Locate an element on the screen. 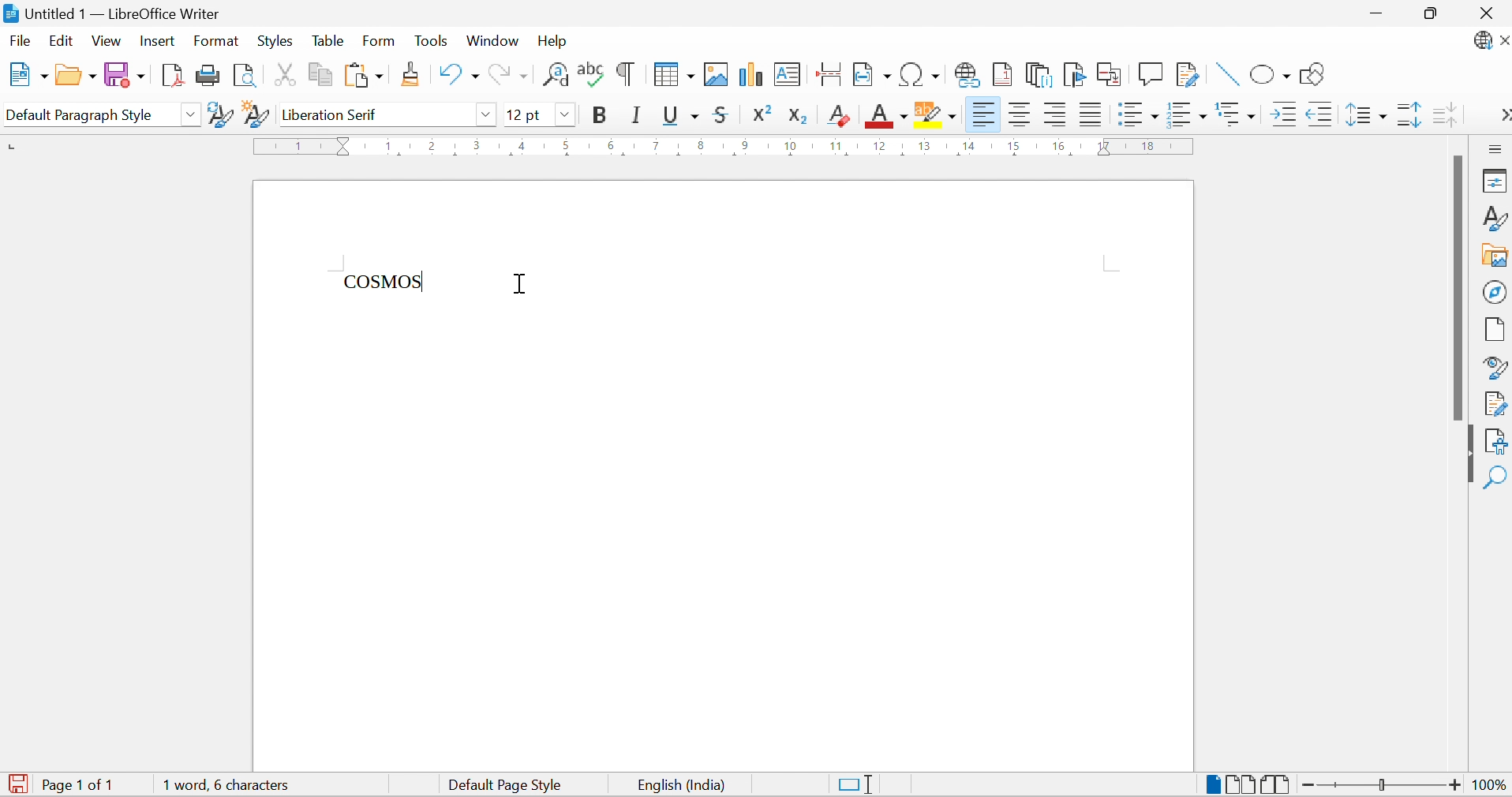  Align Center is located at coordinates (1023, 116).